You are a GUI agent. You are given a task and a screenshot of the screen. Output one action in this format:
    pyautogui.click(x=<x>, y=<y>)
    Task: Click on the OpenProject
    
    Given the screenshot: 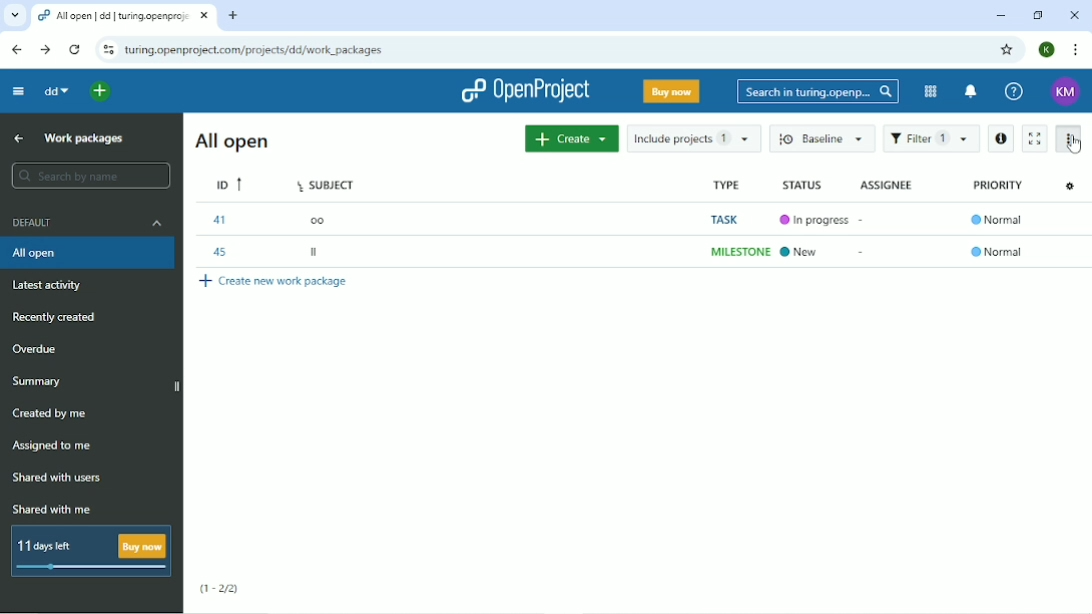 What is the action you would take?
    pyautogui.click(x=530, y=91)
    